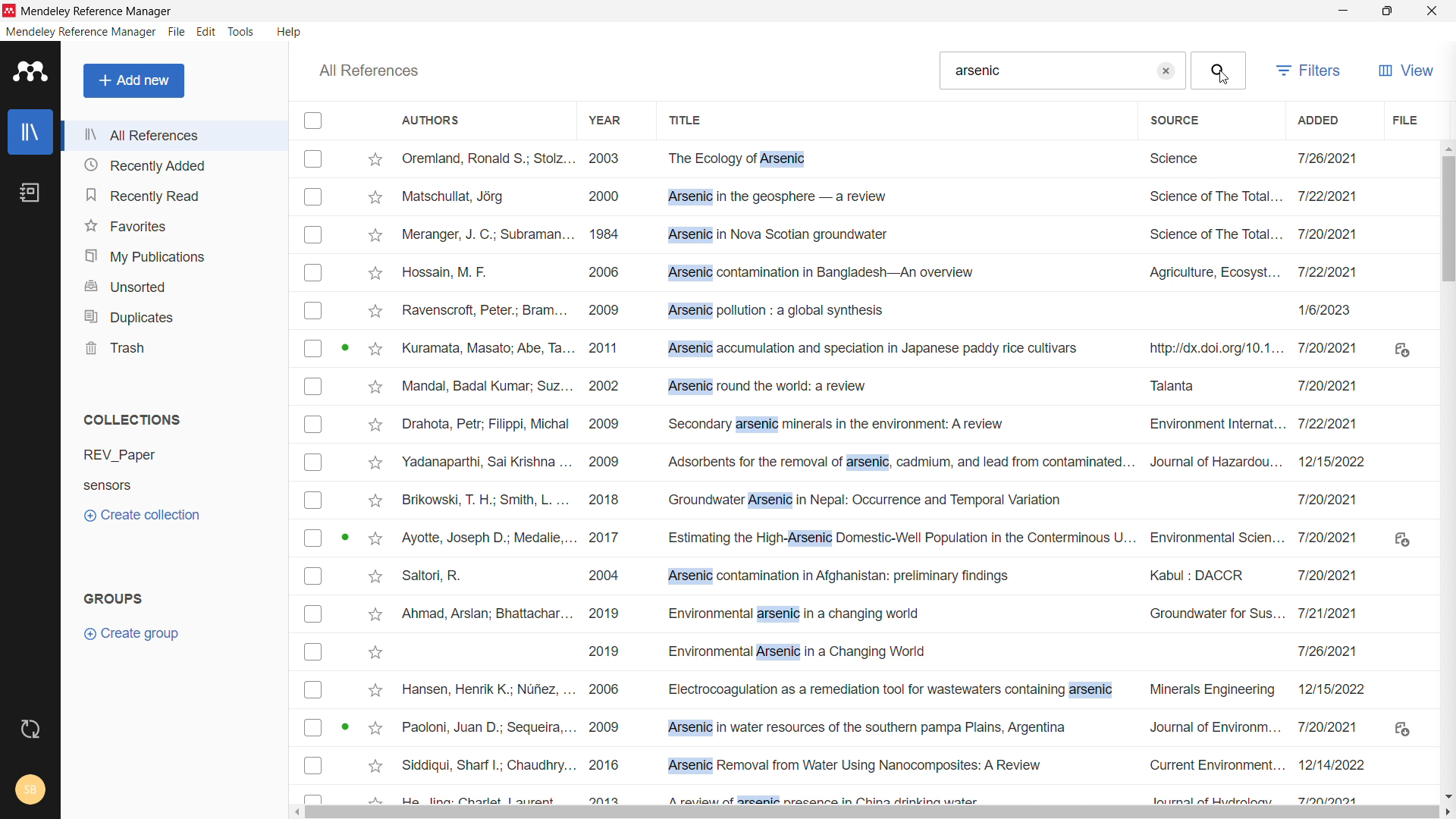  Describe the element at coordinates (176, 32) in the screenshot. I see `file` at that location.